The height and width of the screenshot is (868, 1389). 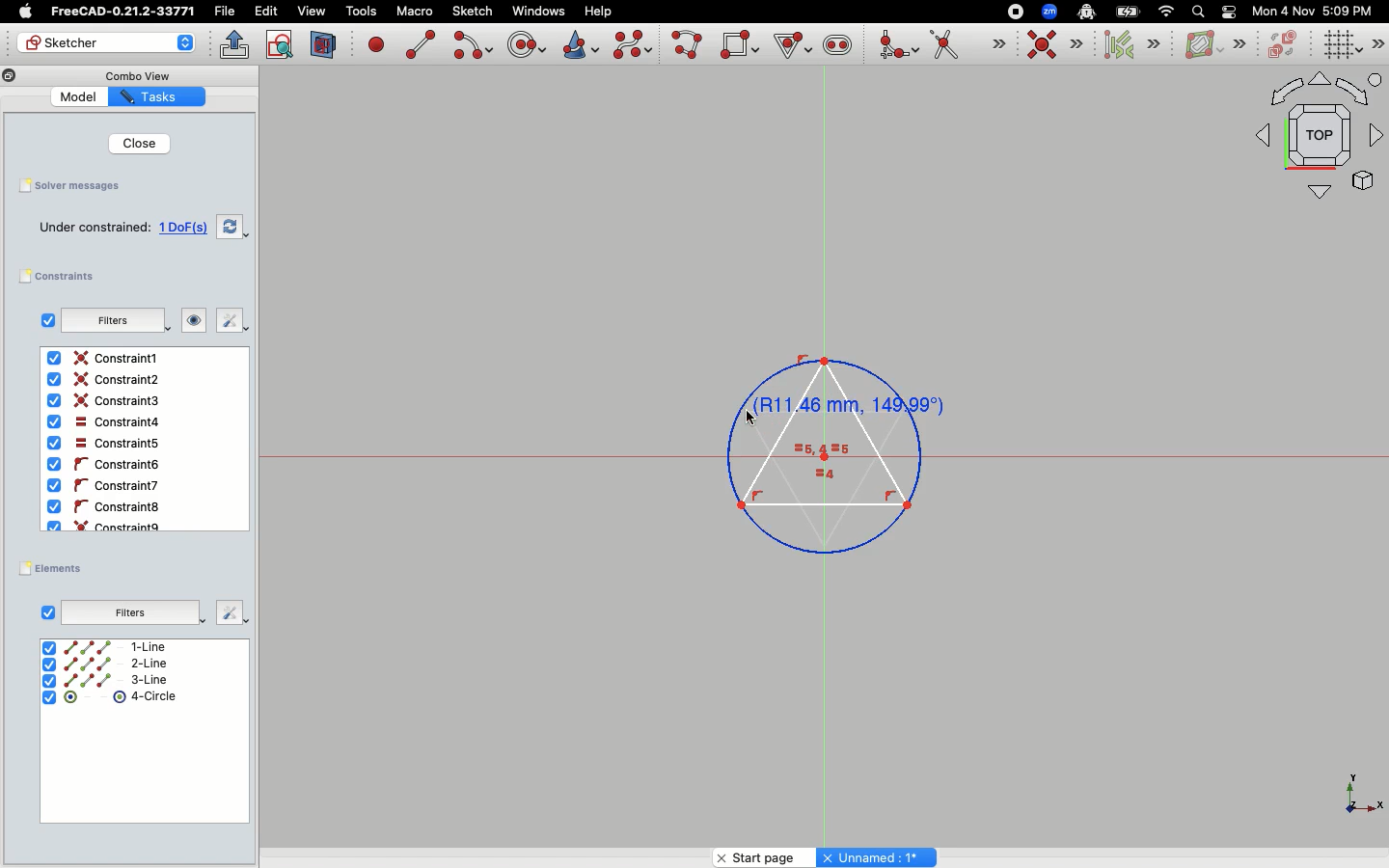 What do you see at coordinates (56, 568) in the screenshot?
I see `Elements` at bounding box center [56, 568].